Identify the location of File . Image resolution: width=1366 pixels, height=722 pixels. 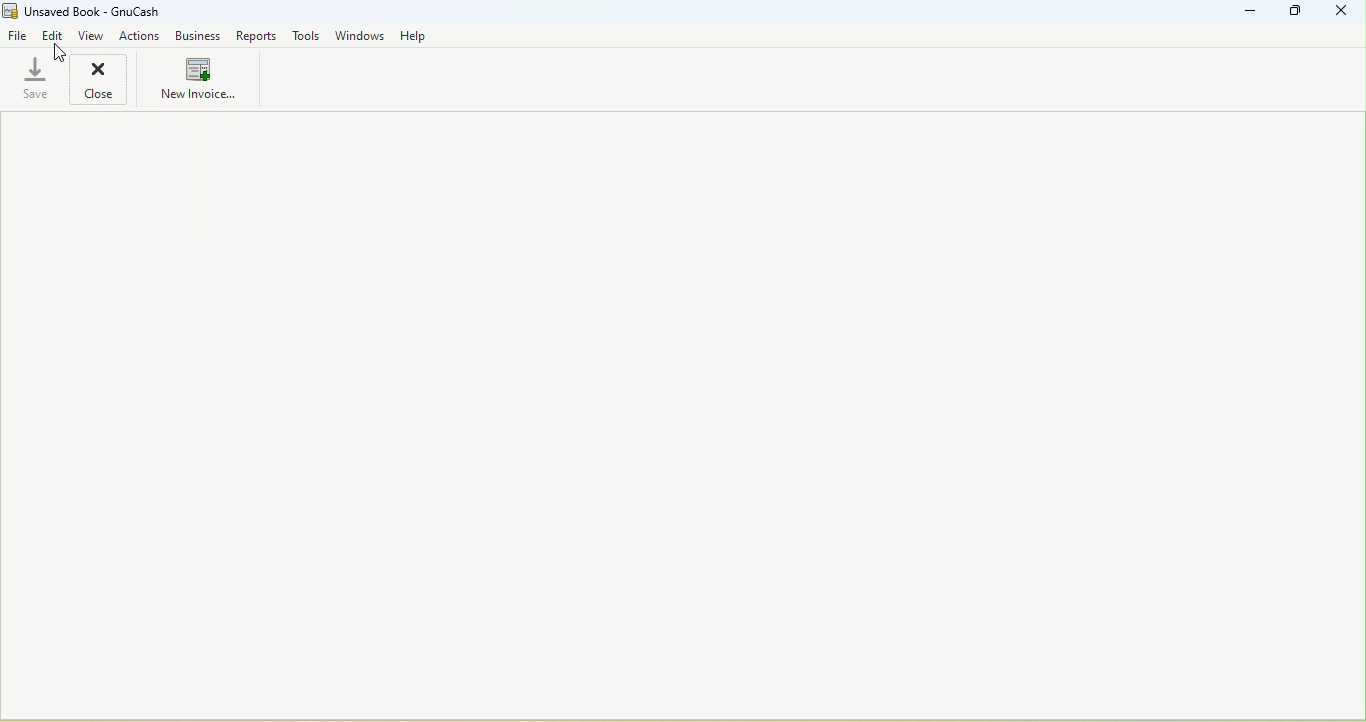
(17, 36).